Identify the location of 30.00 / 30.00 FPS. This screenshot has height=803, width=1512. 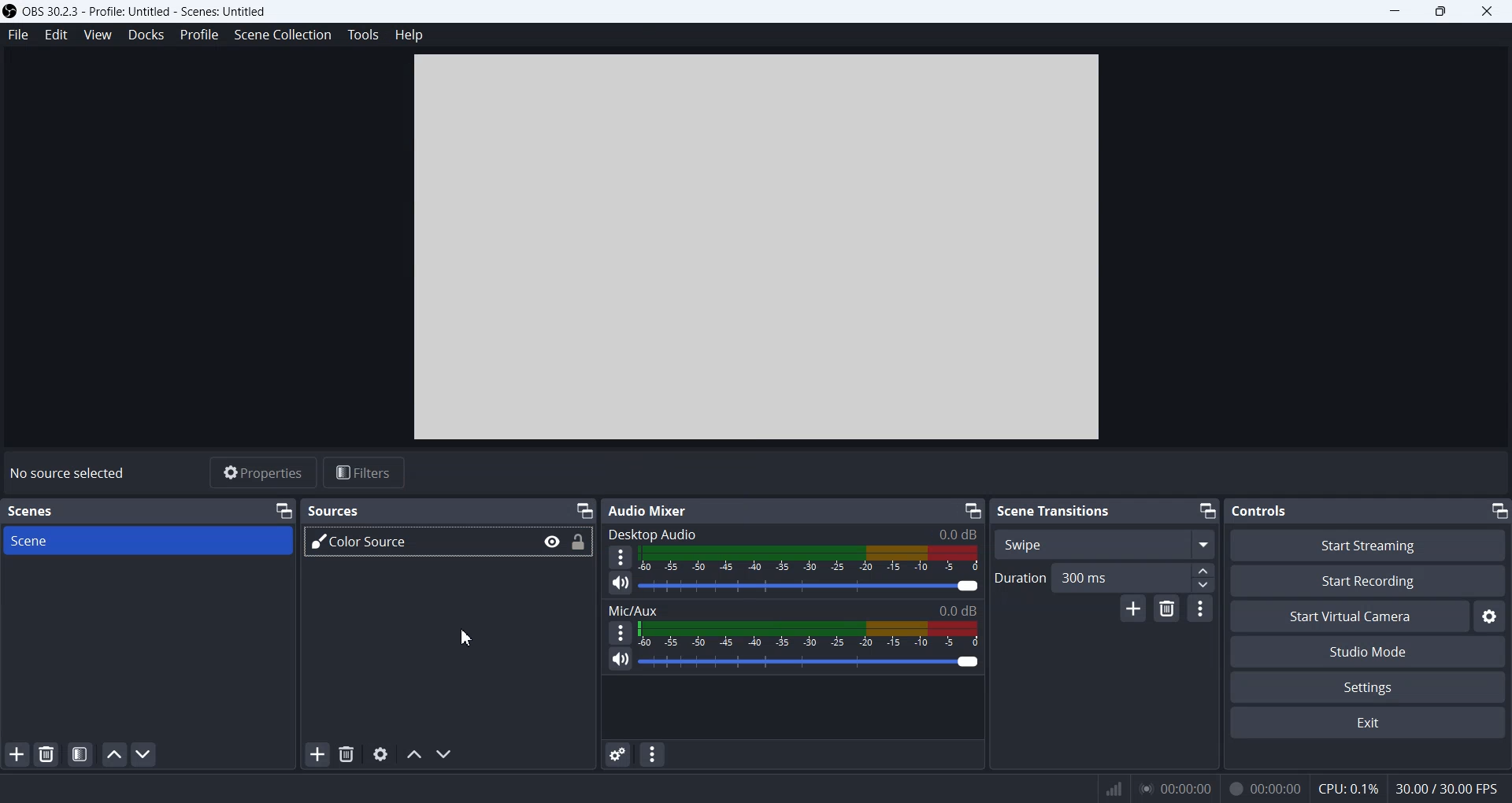
(1450, 790).